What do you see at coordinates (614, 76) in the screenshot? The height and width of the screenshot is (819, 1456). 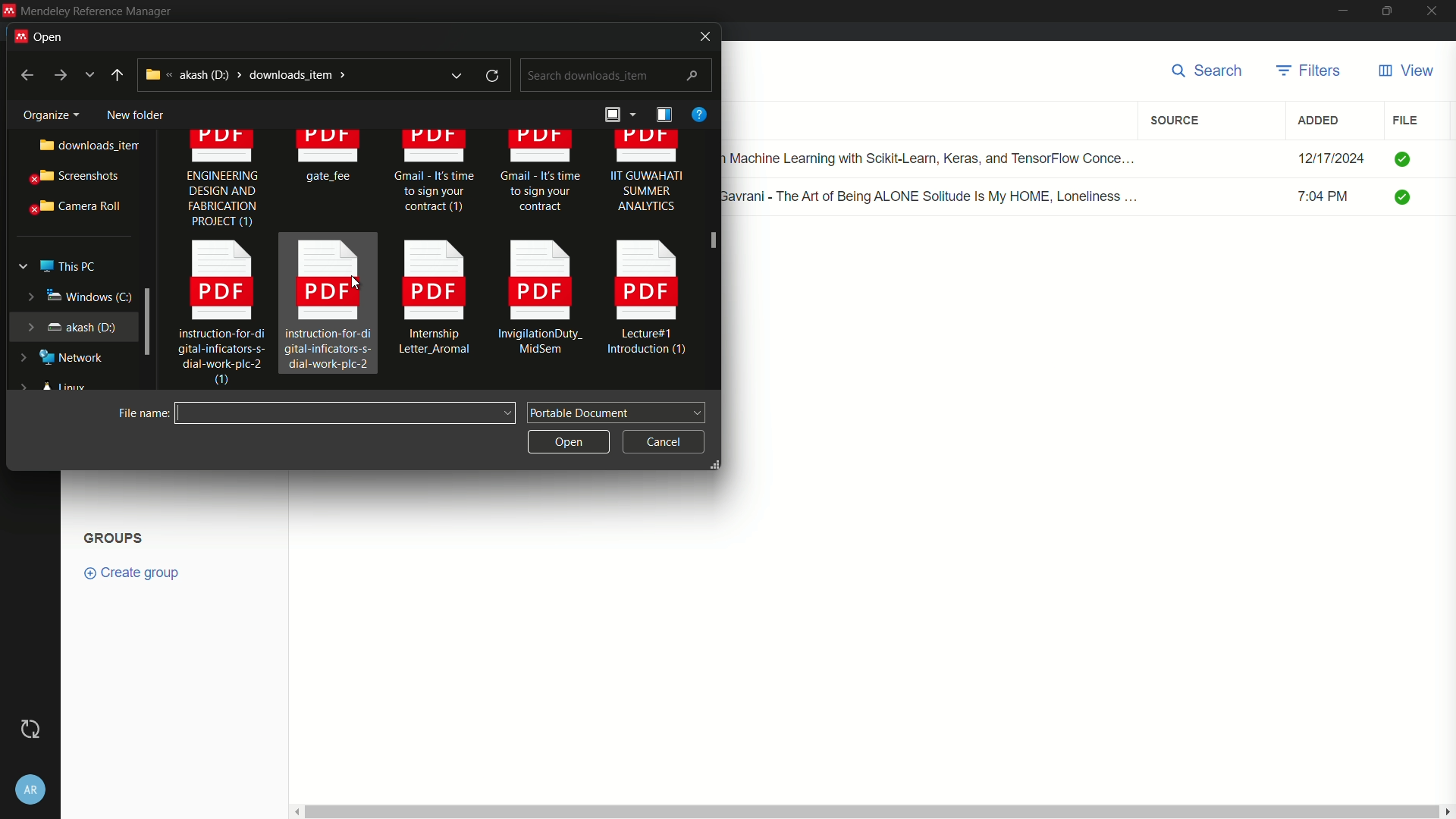 I see `search downloads_item` at bounding box center [614, 76].